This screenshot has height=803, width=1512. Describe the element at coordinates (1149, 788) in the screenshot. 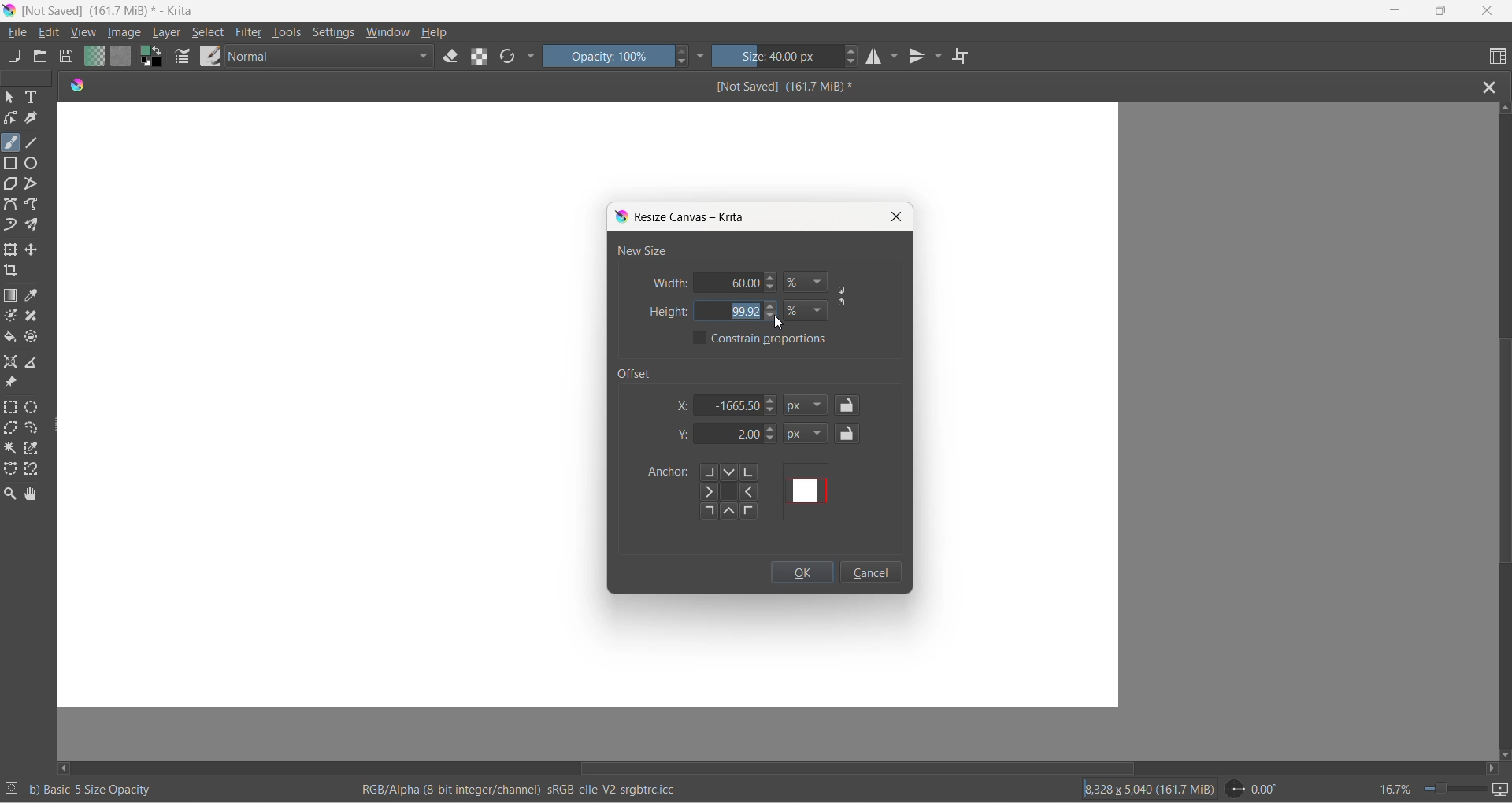

I see `area and storage size` at that location.